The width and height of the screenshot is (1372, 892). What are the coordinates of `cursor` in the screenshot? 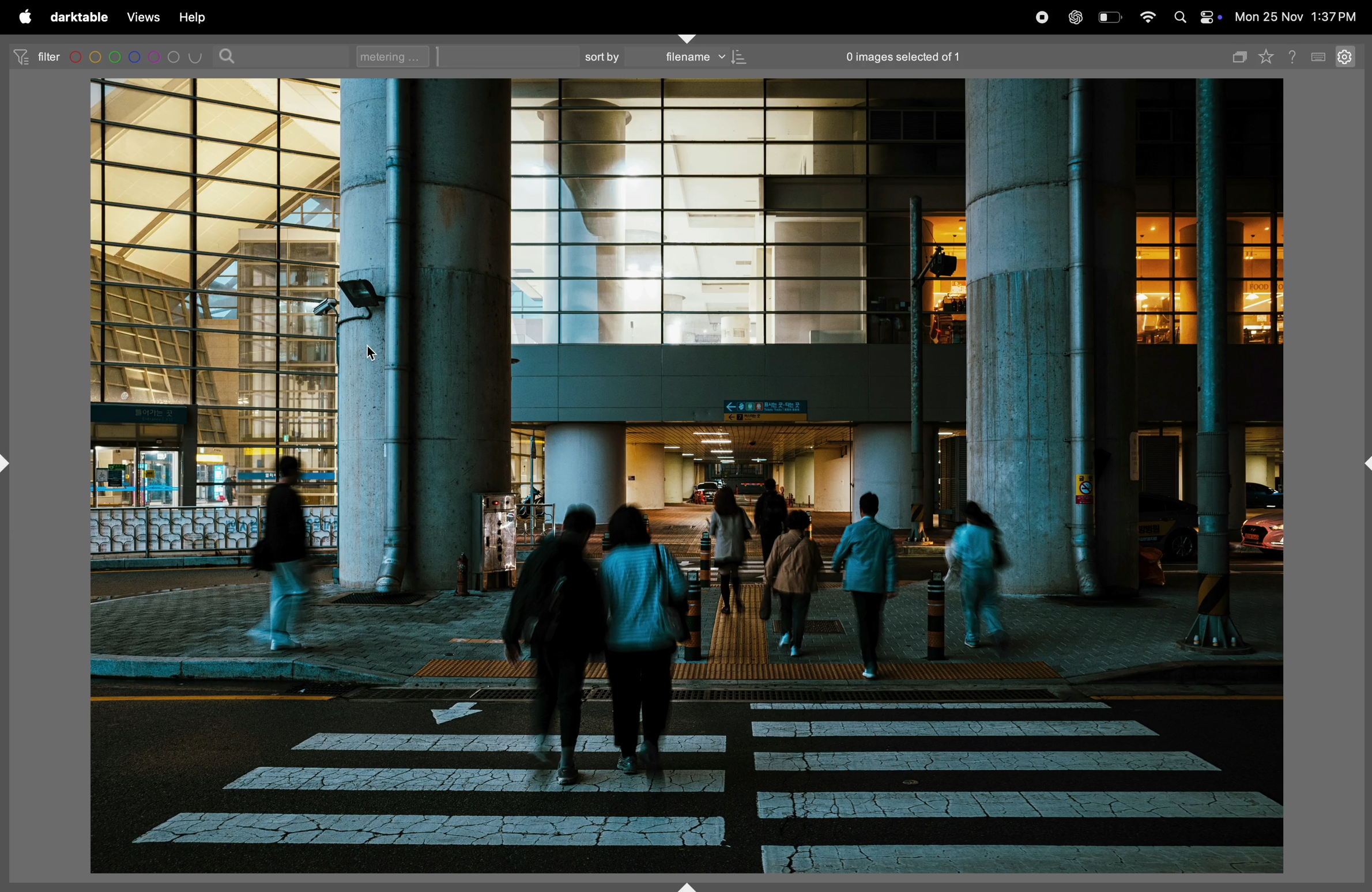 It's located at (371, 348).